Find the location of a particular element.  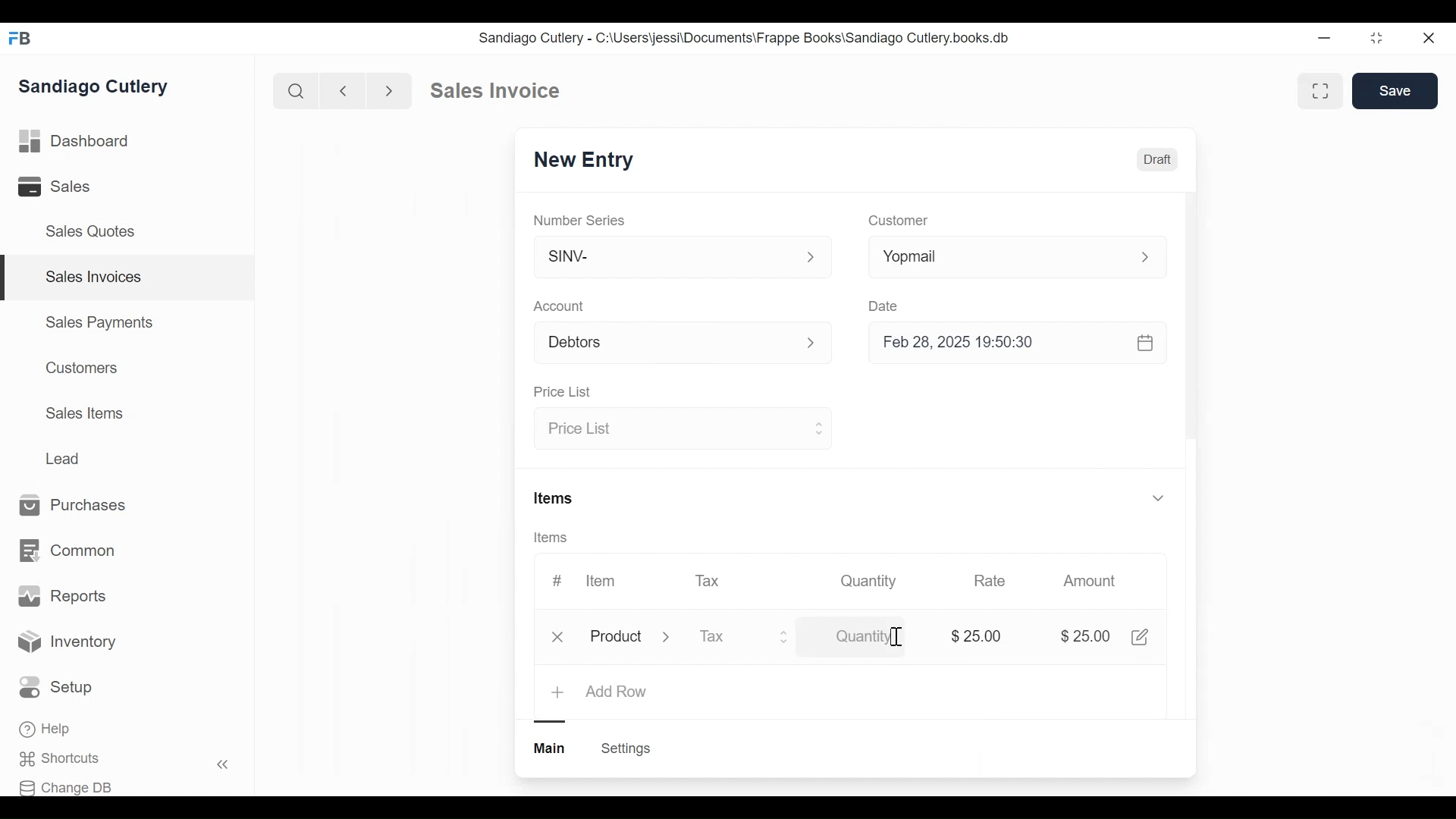

cursor is located at coordinates (895, 637).